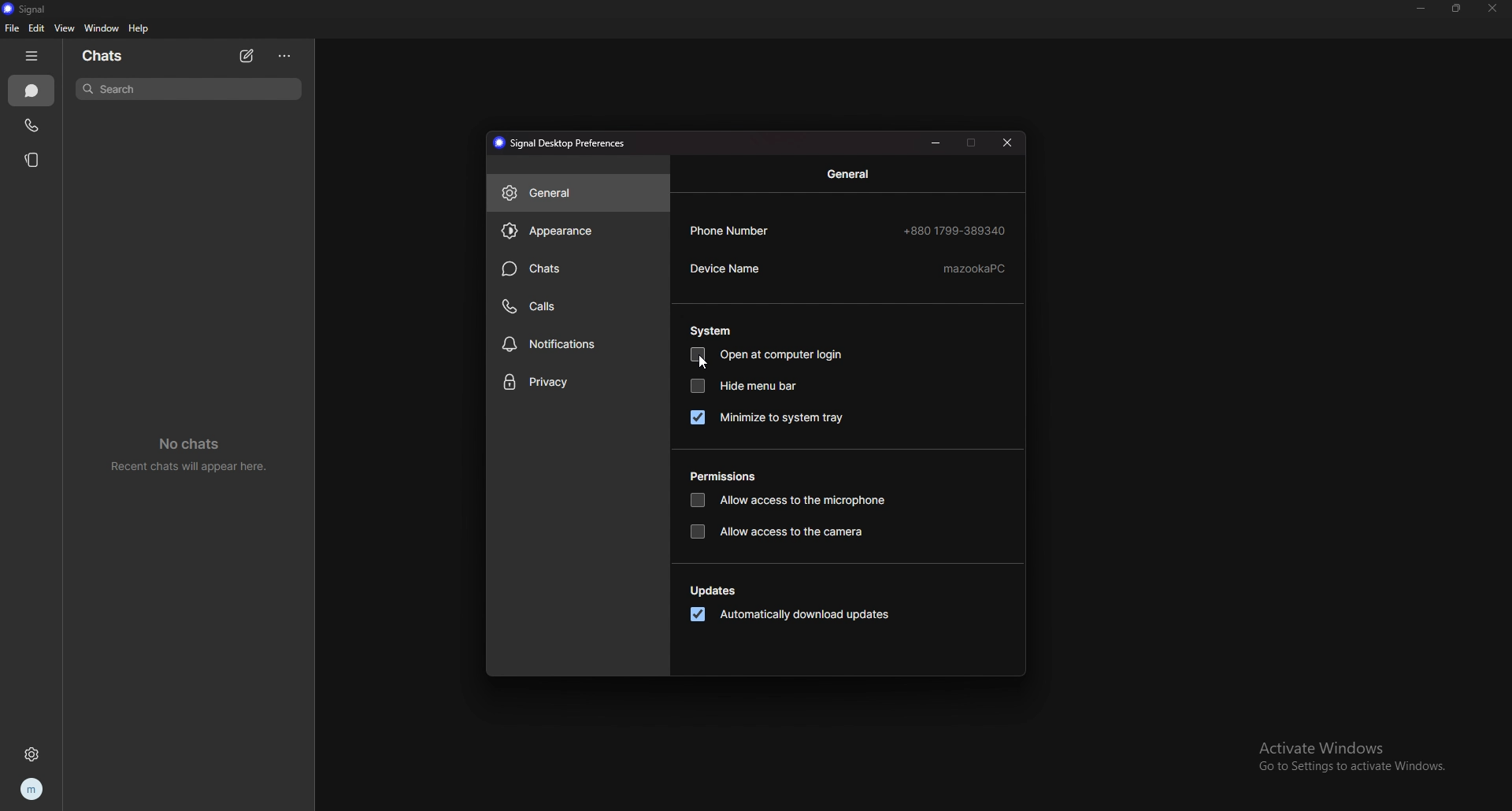 The height and width of the screenshot is (811, 1512). I want to click on privacy, so click(576, 383).